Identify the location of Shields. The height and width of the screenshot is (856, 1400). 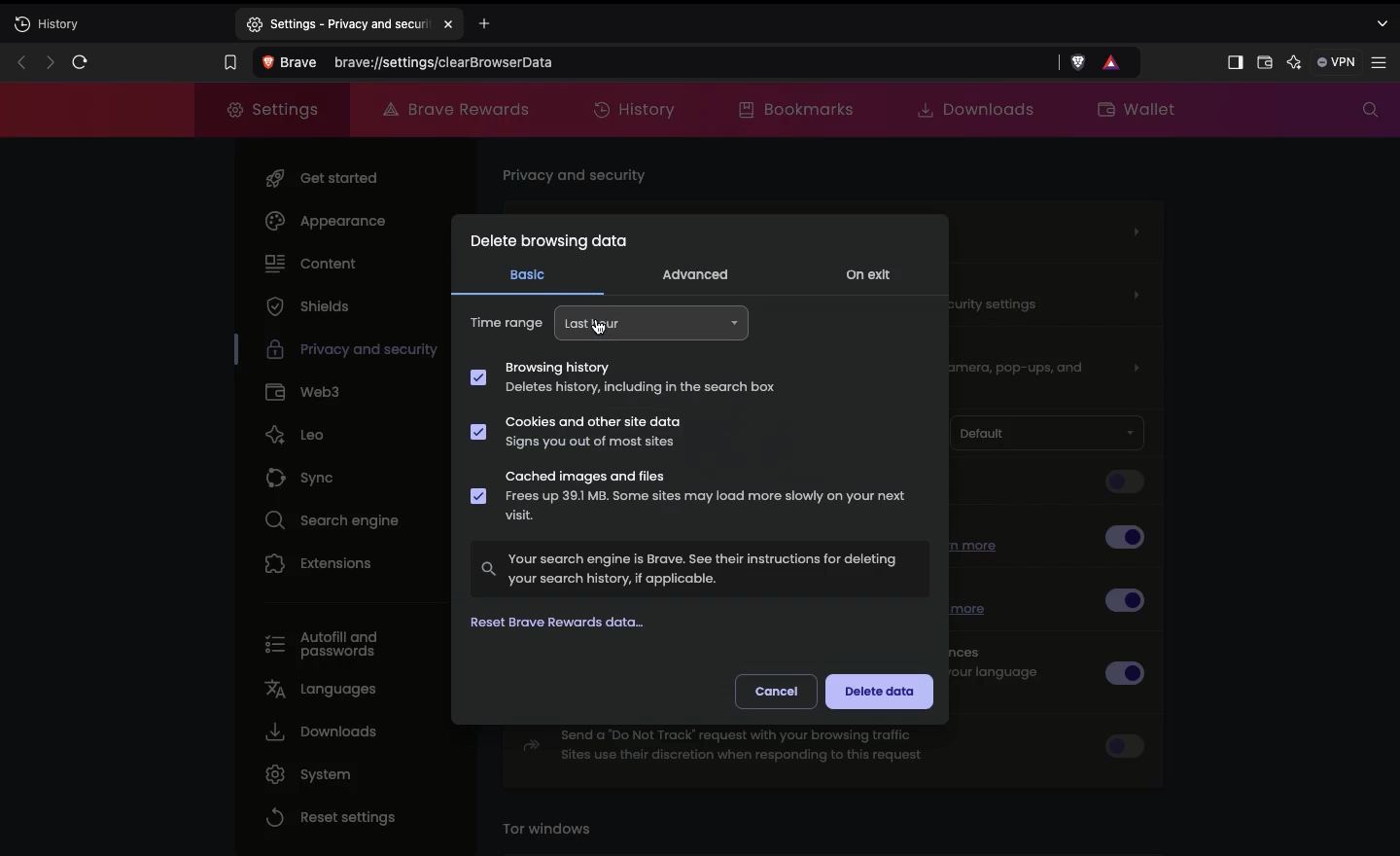
(306, 308).